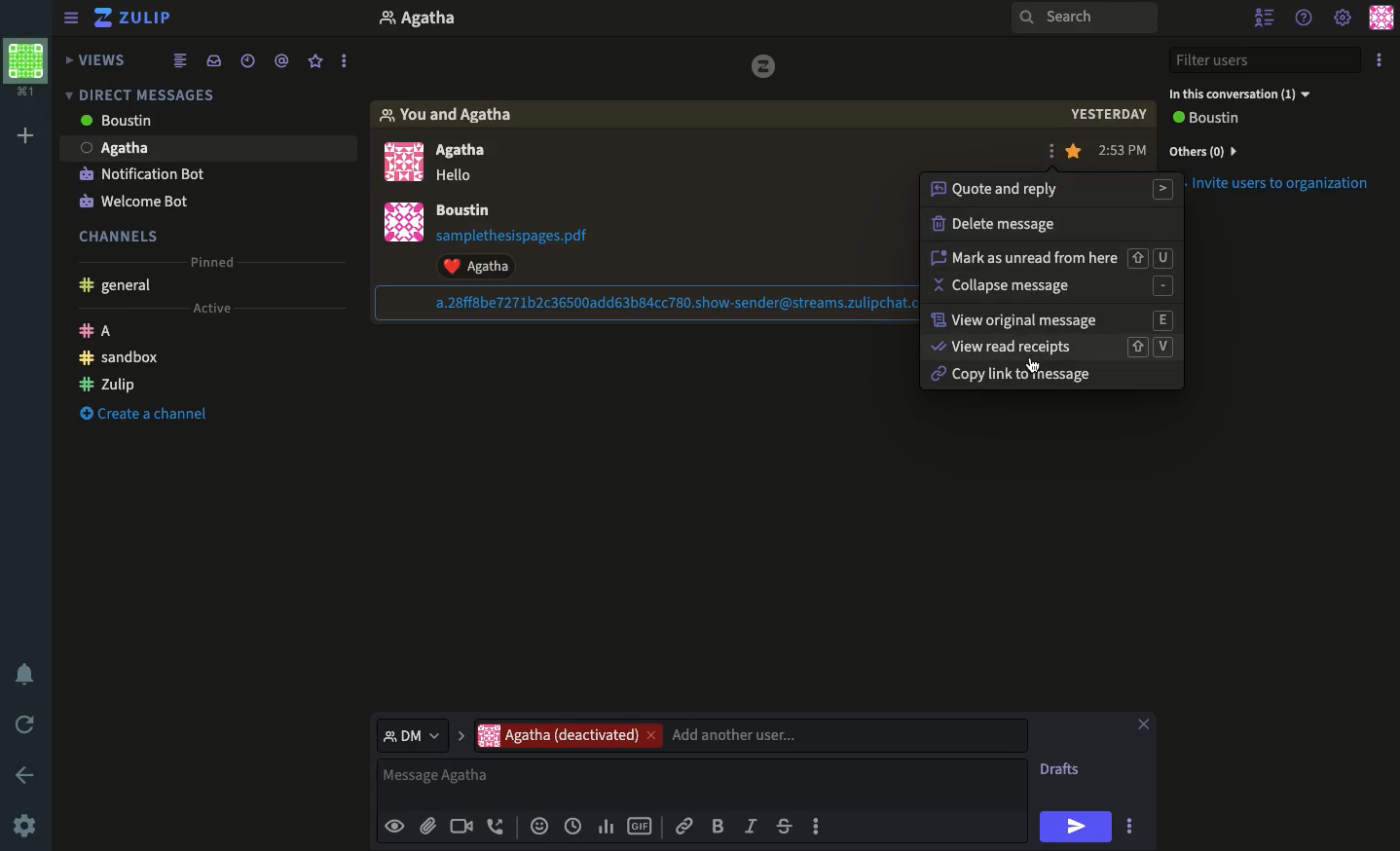  Describe the element at coordinates (213, 59) in the screenshot. I see `Inbox` at that location.